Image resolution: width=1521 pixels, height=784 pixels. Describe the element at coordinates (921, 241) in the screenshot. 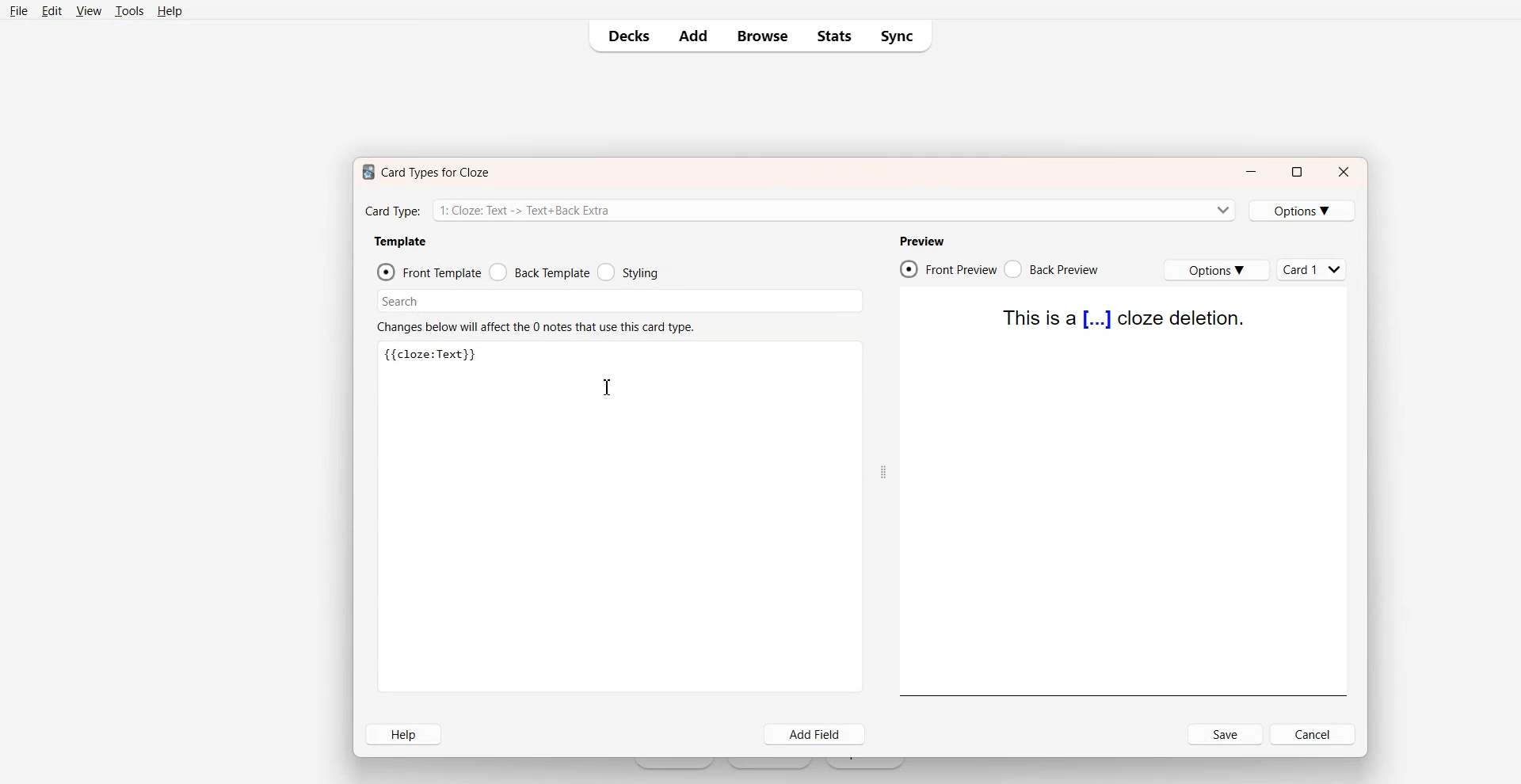

I see `Preview` at that location.